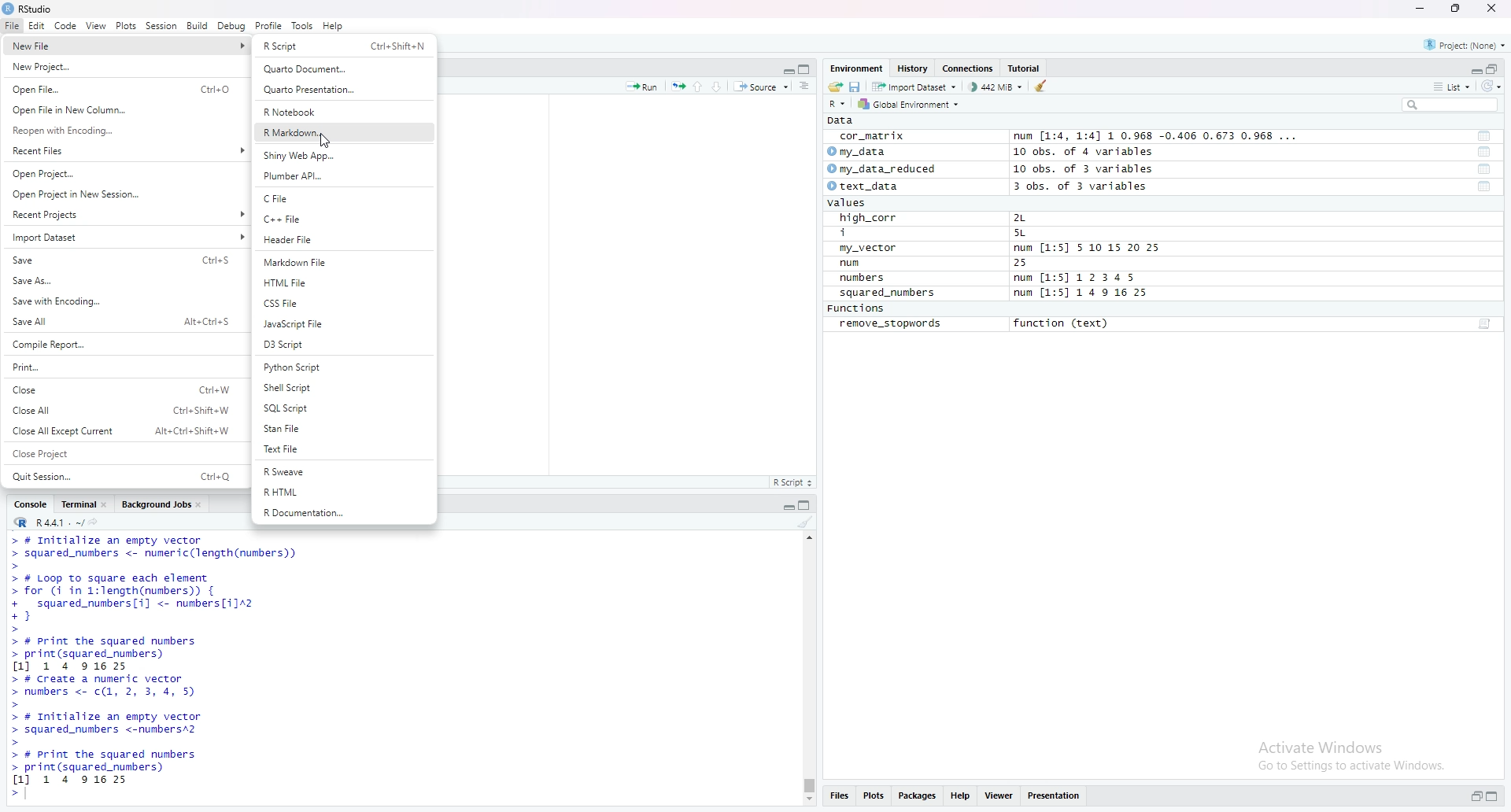 This screenshot has height=812, width=1511. What do you see at coordinates (785, 507) in the screenshot?
I see `minimize` at bounding box center [785, 507].